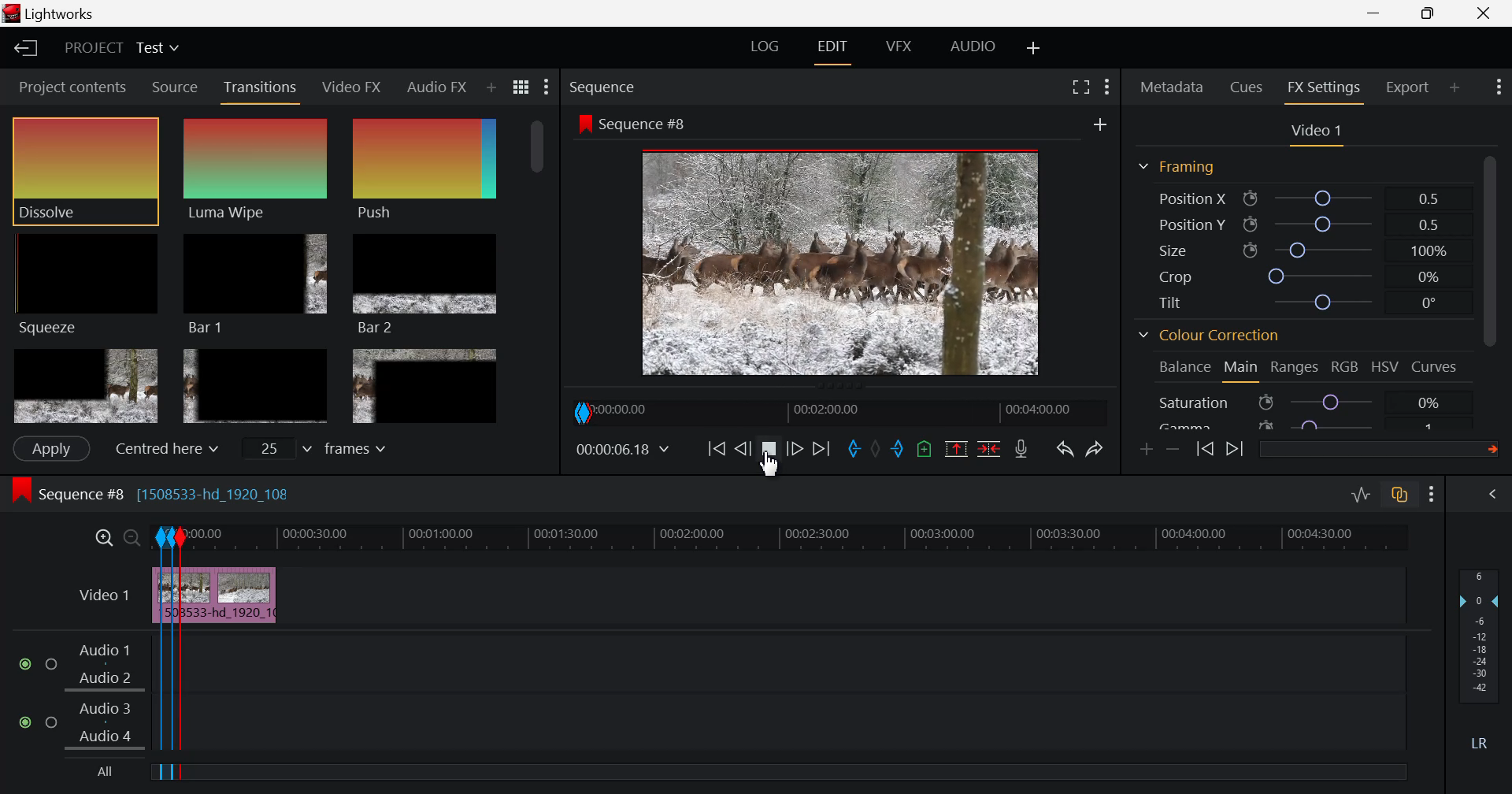 This screenshot has width=1512, height=794. Describe the element at coordinates (1303, 304) in the screenshot. I see `Tilt` at that location.